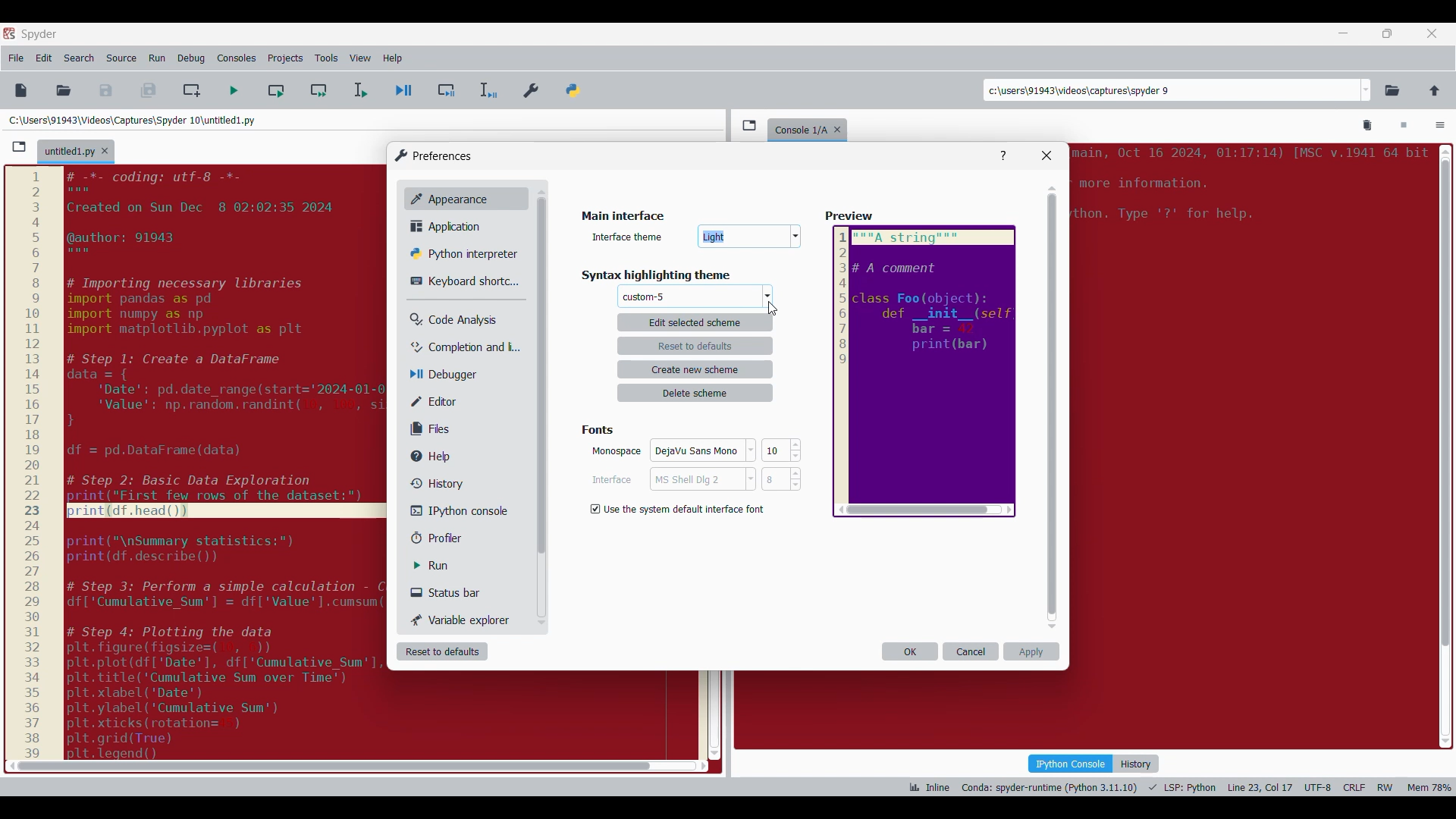 This screenshot has width=1456, height=819. What do you see at coordinates (601, 428) in the screenshot?
I see `fonts` at bounding box center [601, 428].